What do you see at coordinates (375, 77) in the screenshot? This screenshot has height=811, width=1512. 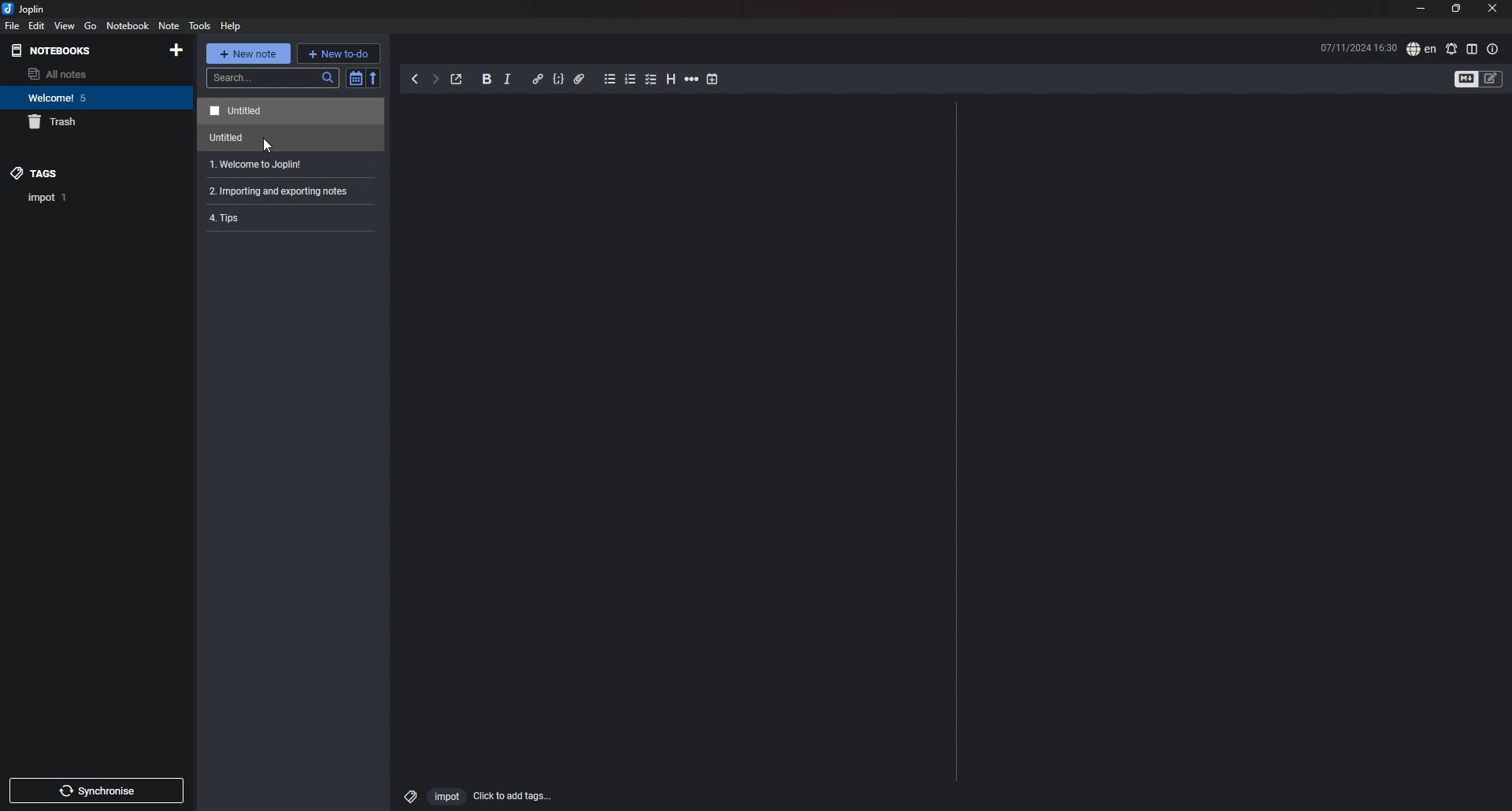 I see `reverse sort order` at bounding box center [375, 77].